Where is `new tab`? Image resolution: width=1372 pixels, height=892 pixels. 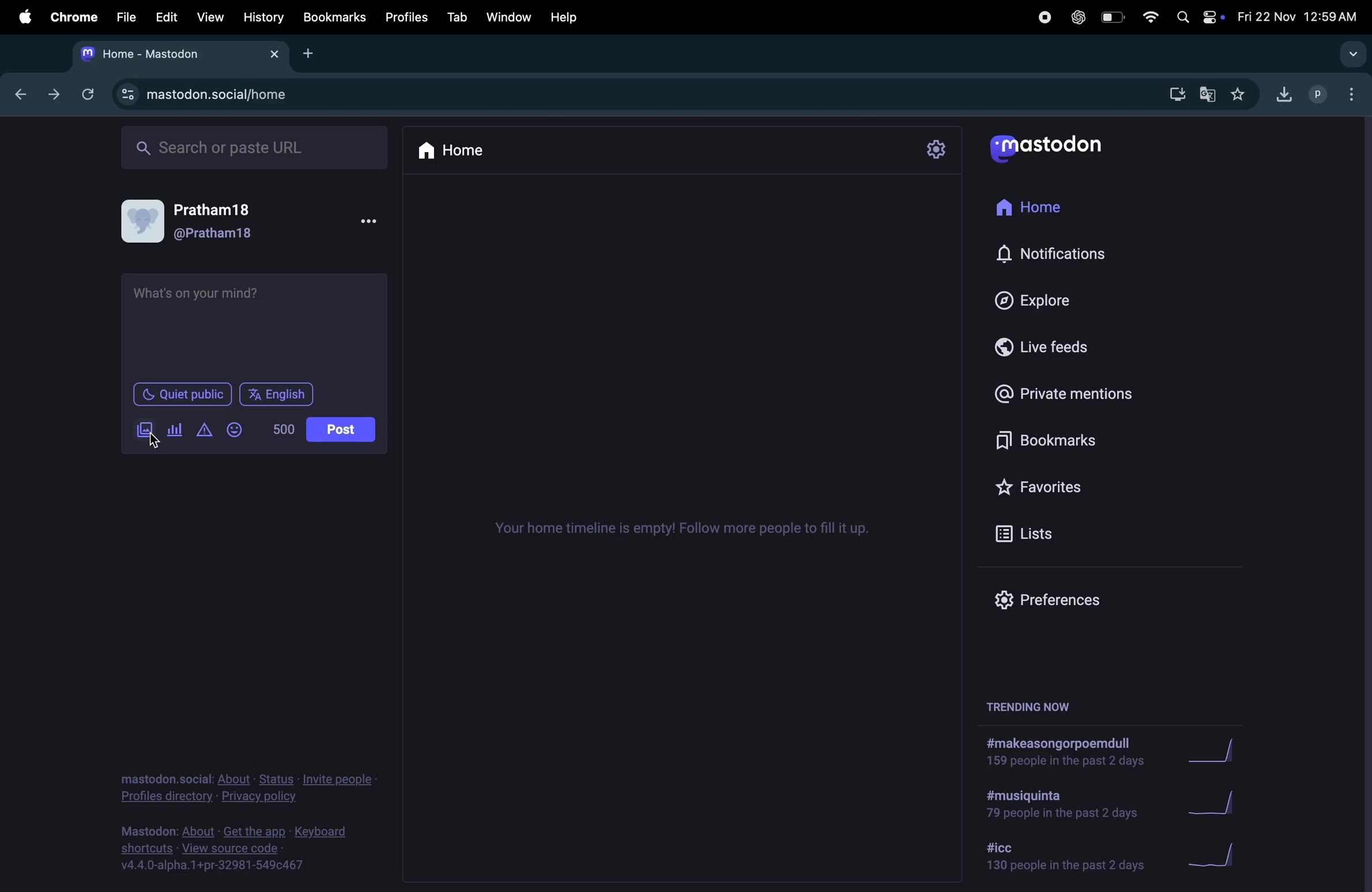
new tab is located at coordinates (307, 54).